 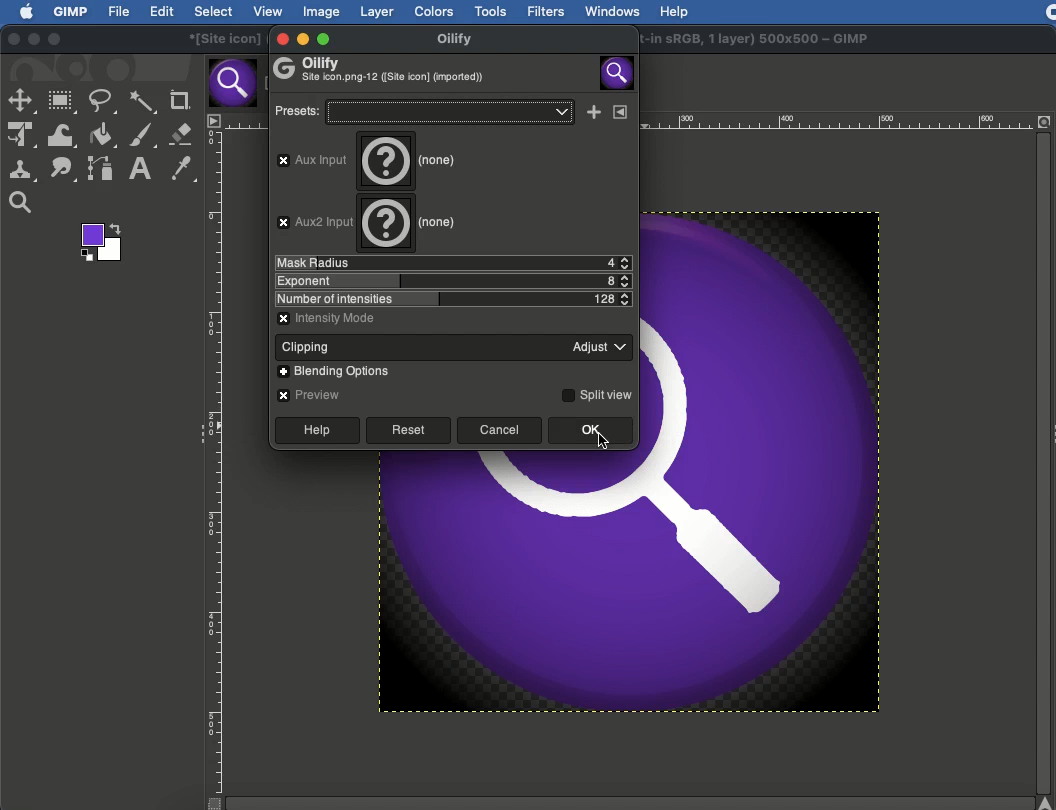 I want to click on Text, so click(x=138, y=169).